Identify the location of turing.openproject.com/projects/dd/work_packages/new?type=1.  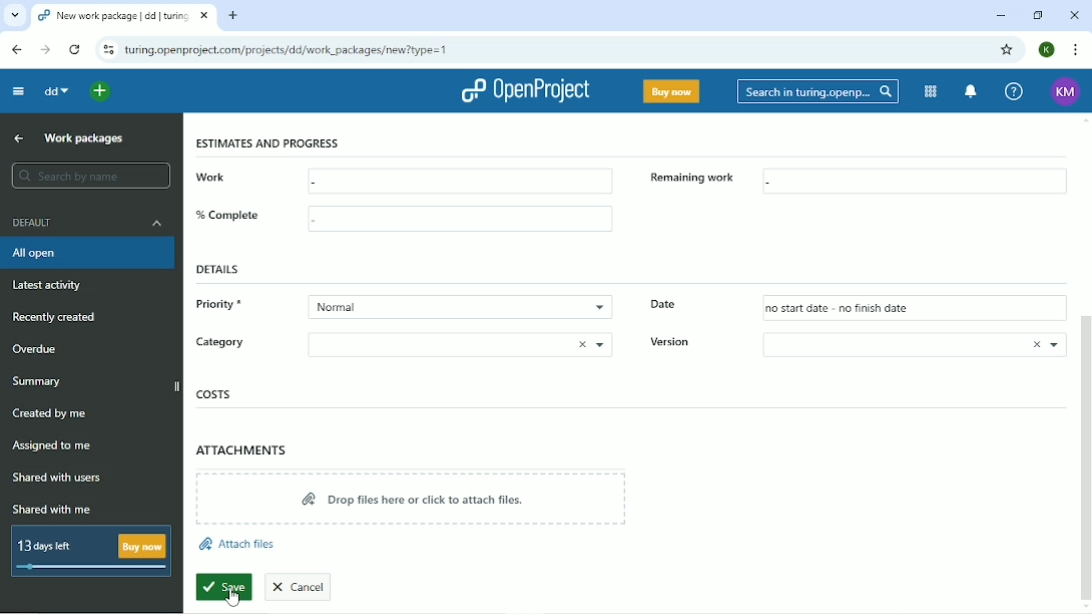
(289, 50).